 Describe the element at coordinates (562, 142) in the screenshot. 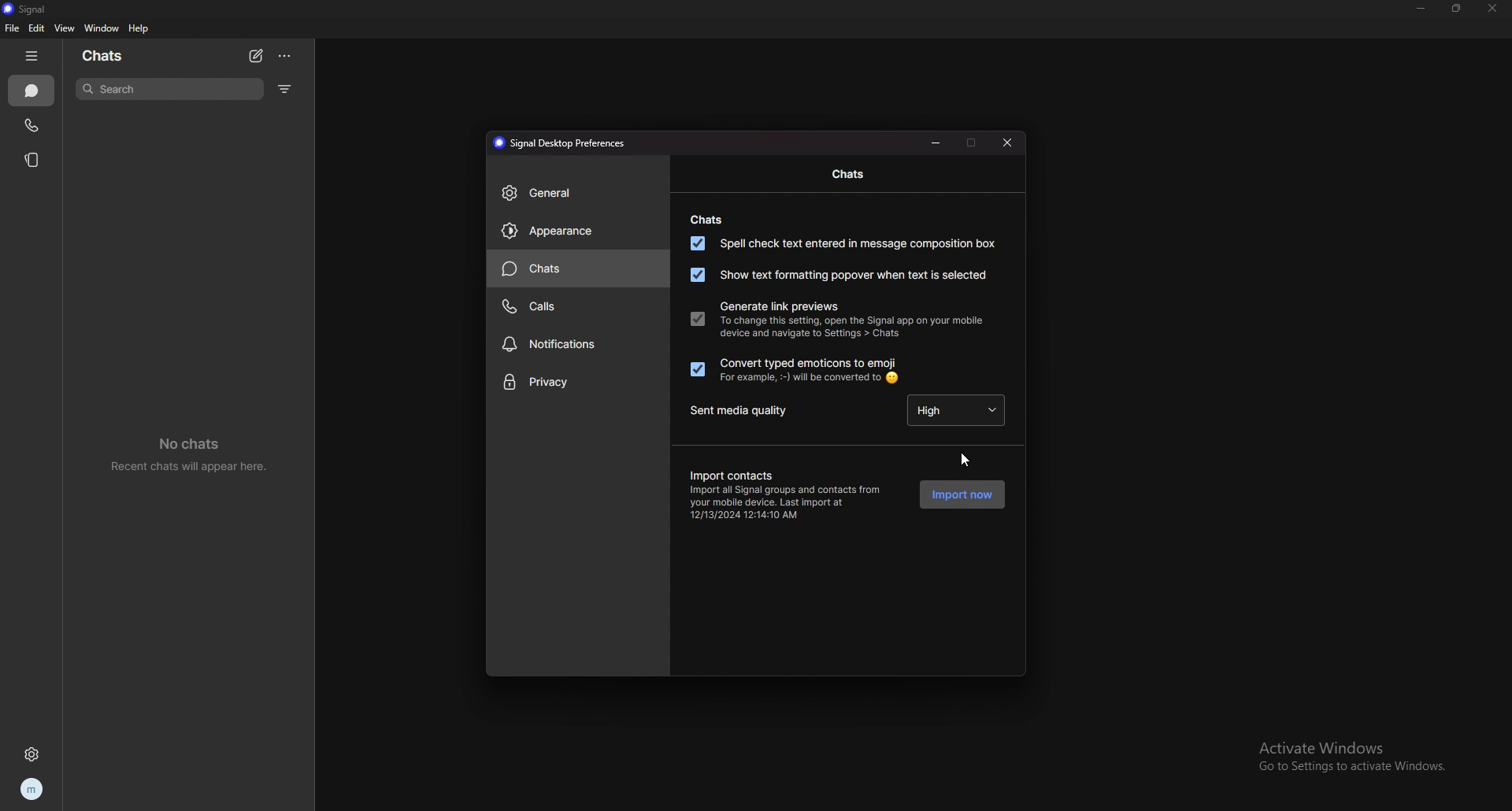

I see `signal desktop preferences` at that location.